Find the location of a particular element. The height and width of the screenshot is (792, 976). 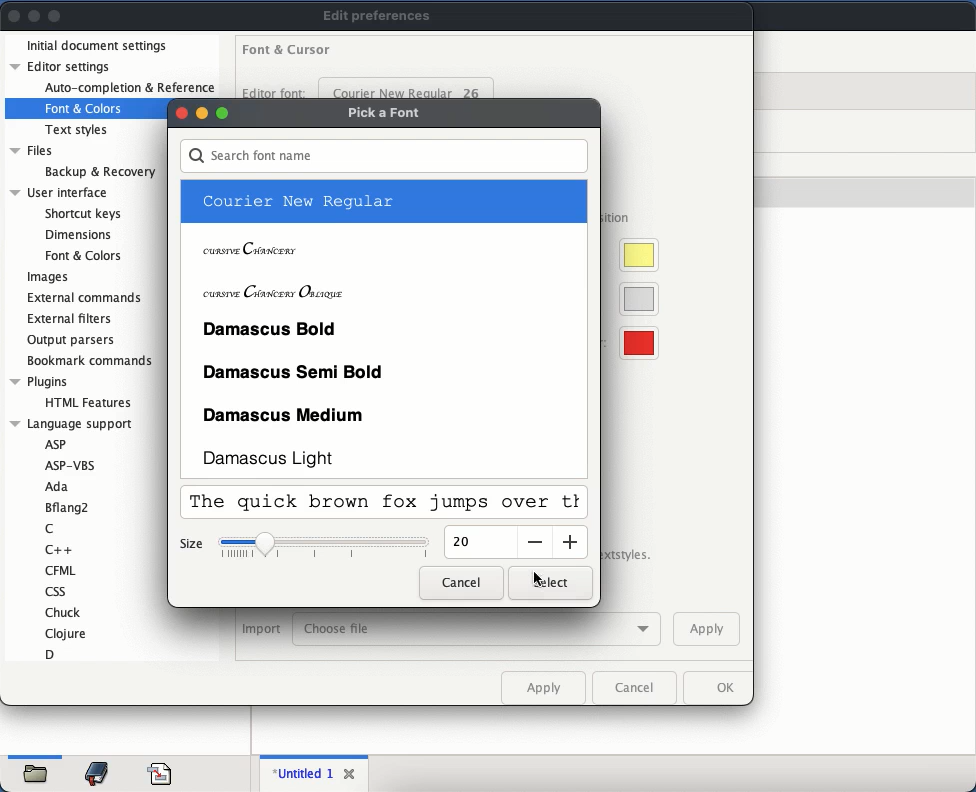

Language support is located at coordinates (74, 425).